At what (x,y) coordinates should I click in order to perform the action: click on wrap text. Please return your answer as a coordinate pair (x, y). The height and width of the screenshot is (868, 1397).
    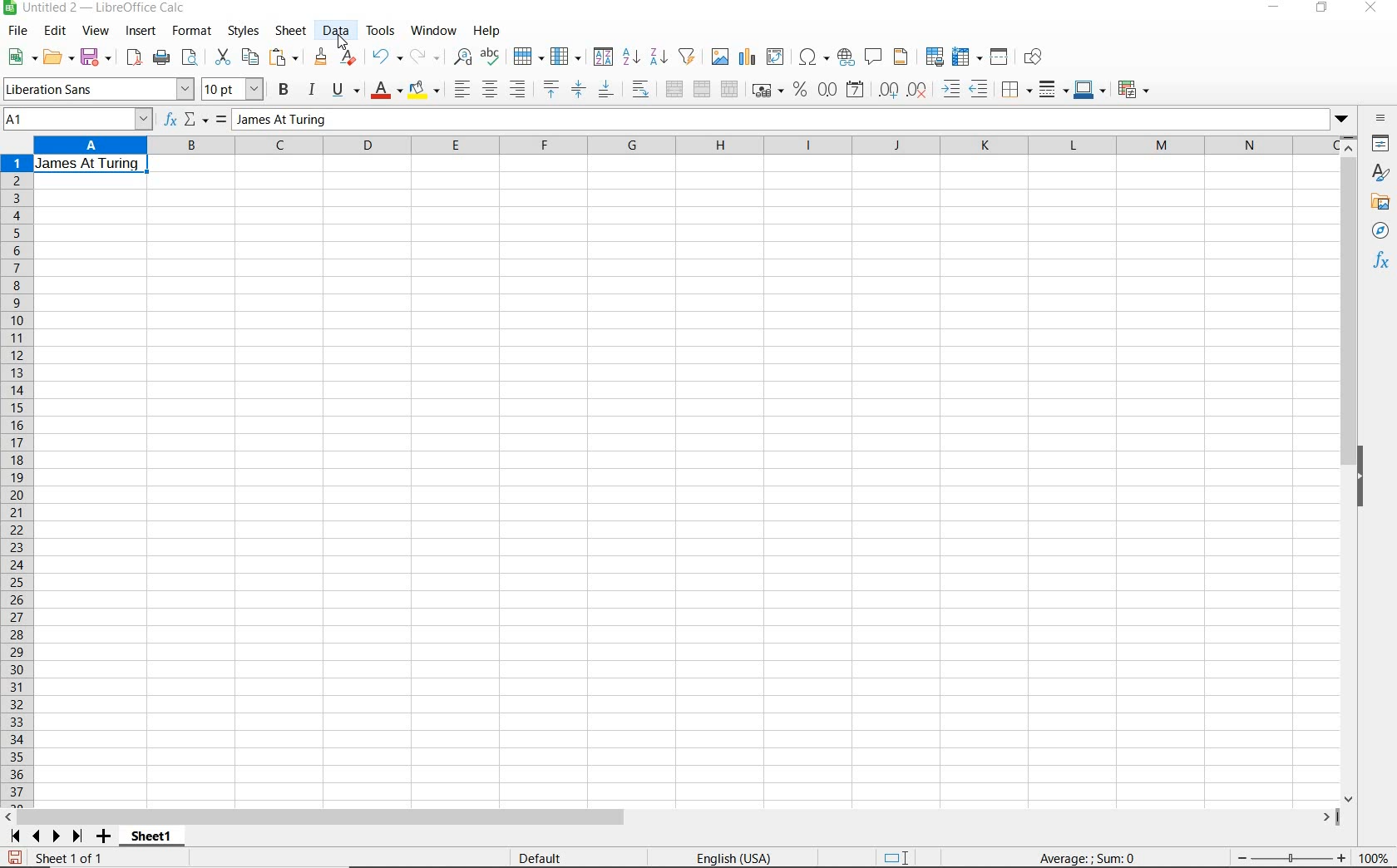
    Looking at the image, I should click on (640, 91).